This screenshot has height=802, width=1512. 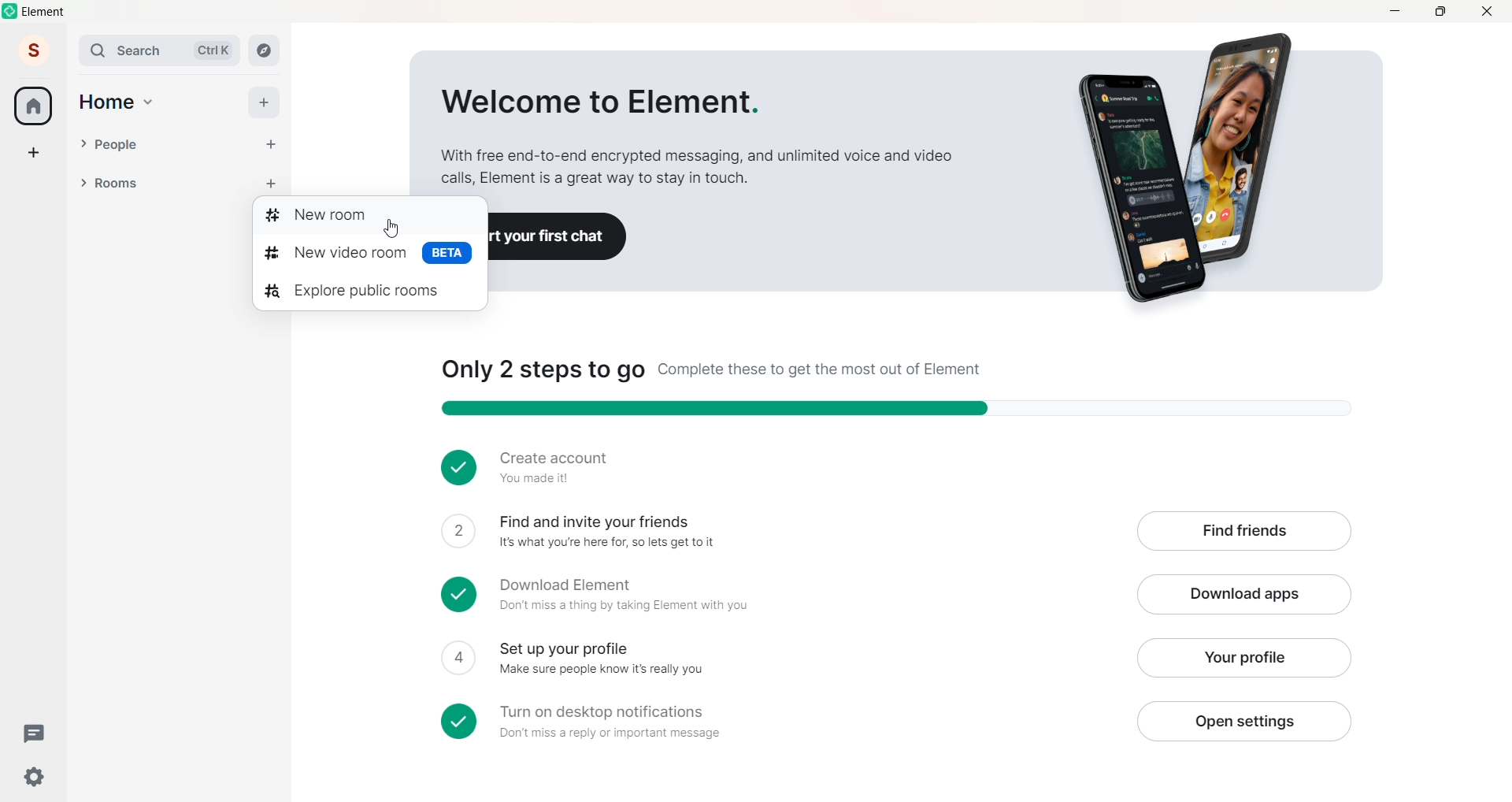 What do you see at coordinates (911, 409) in the screenshot?
I see `Completion Bar` at bounding box center [911, 409].